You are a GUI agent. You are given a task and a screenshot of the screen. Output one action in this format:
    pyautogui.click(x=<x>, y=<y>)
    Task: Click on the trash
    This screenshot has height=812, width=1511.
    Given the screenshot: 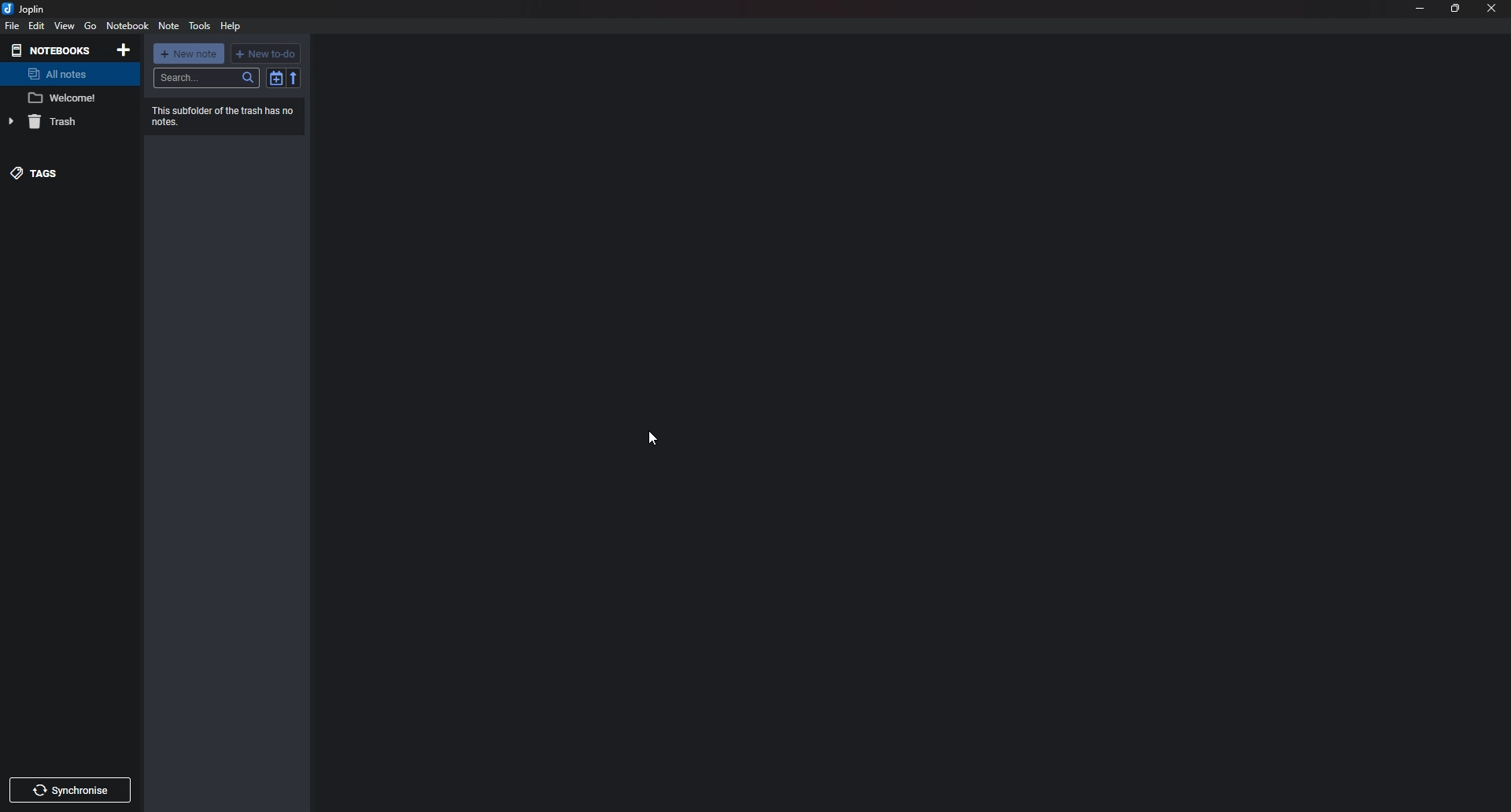 What is the action you would take?
    pyautogui.click(x=65, y=123)
    